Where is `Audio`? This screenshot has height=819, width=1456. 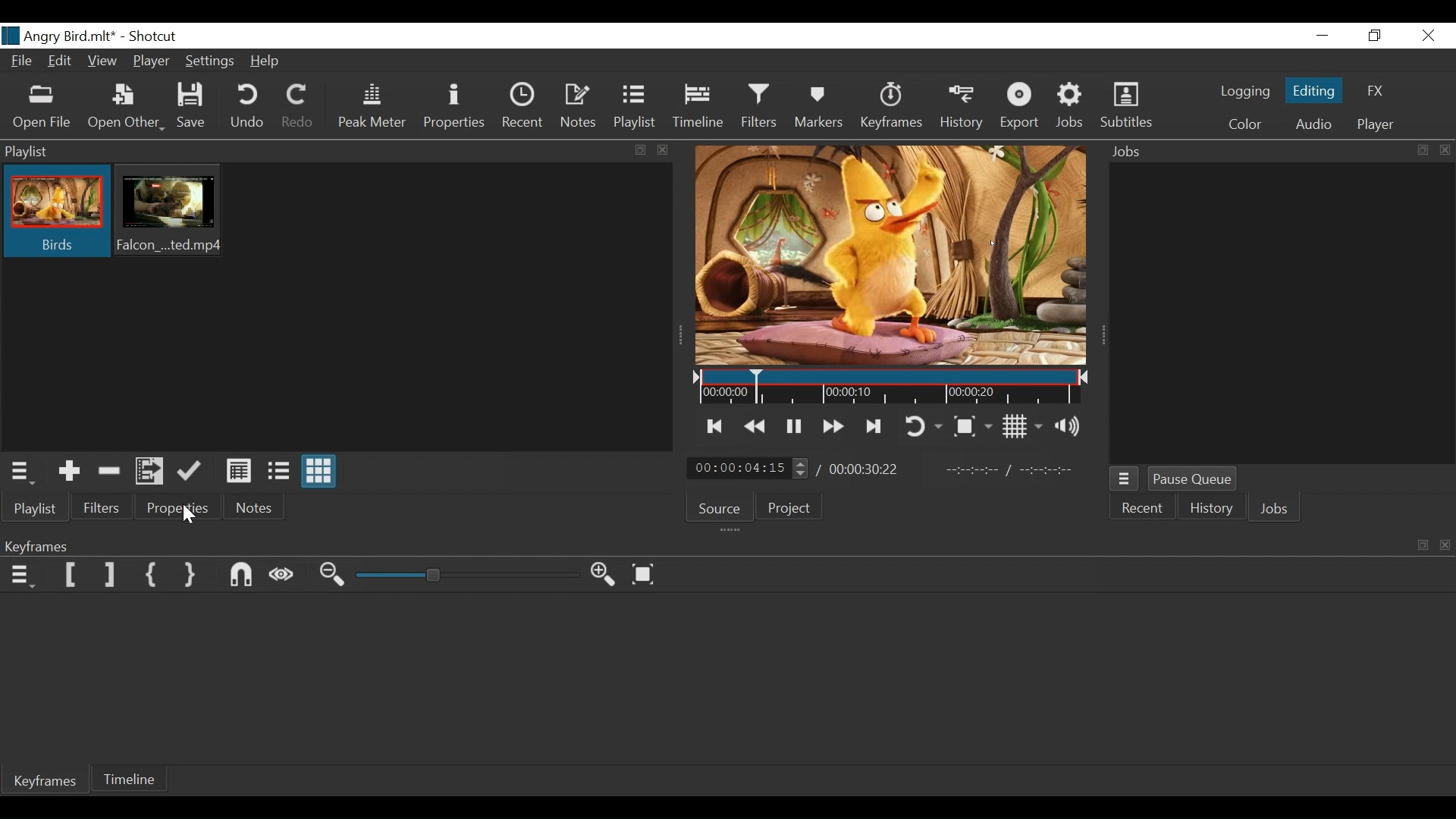 Audio is located at coordinates (1311, 124).